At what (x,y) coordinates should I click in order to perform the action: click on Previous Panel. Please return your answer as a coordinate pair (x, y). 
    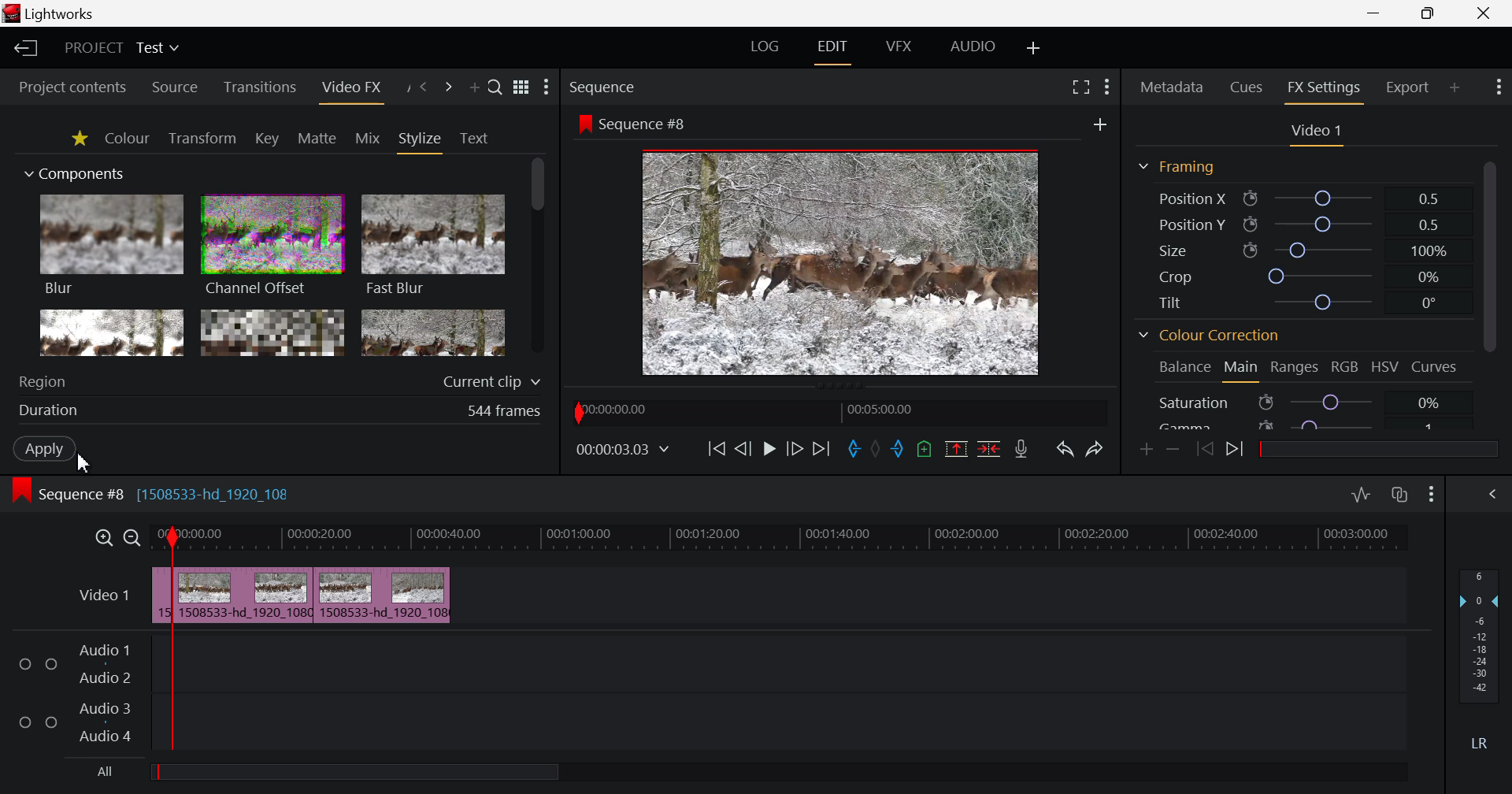
    Looking at the image, I should click on (424, 87).